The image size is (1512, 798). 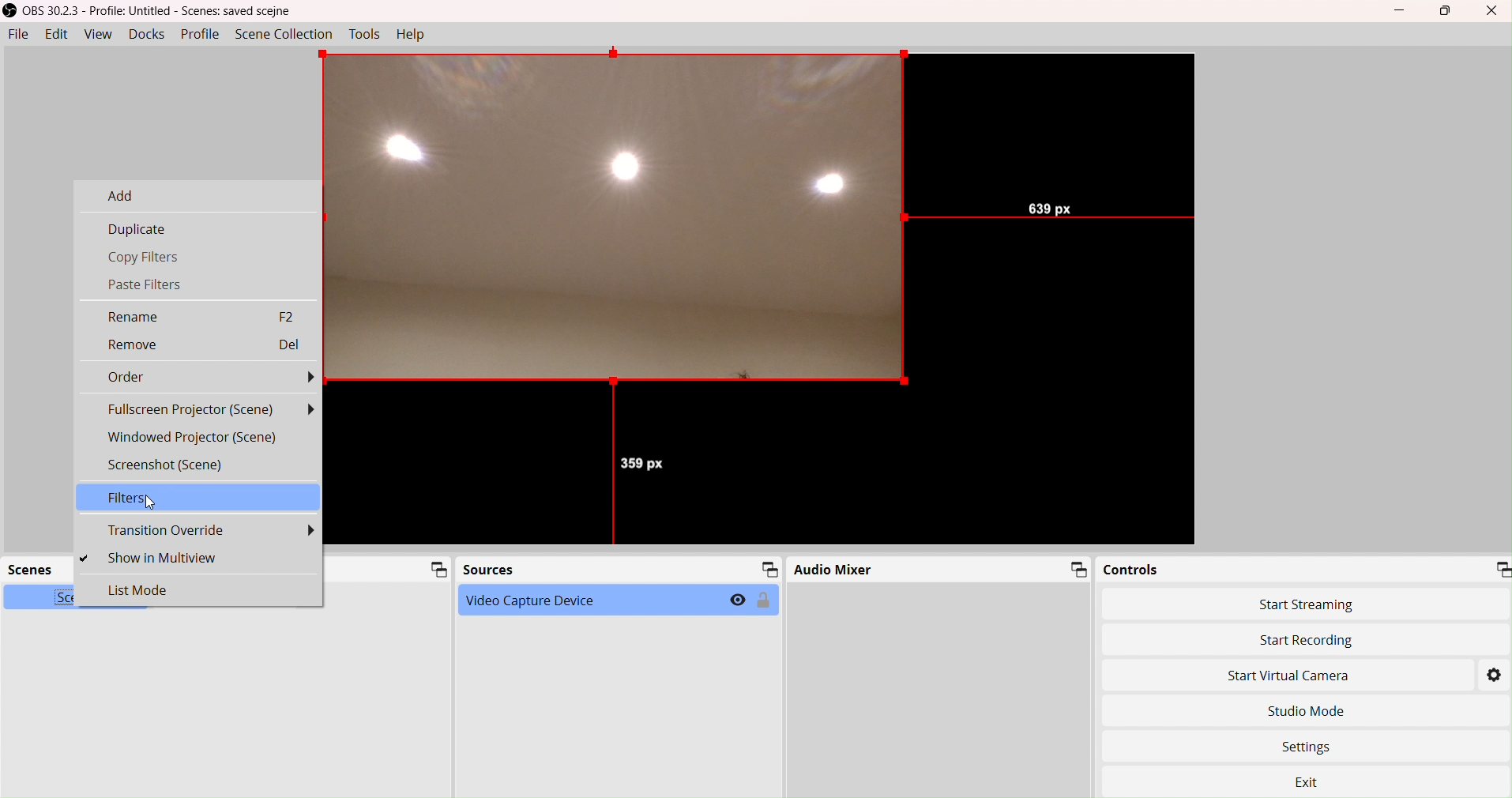 I want to click on File, so click(x=18, y=35).